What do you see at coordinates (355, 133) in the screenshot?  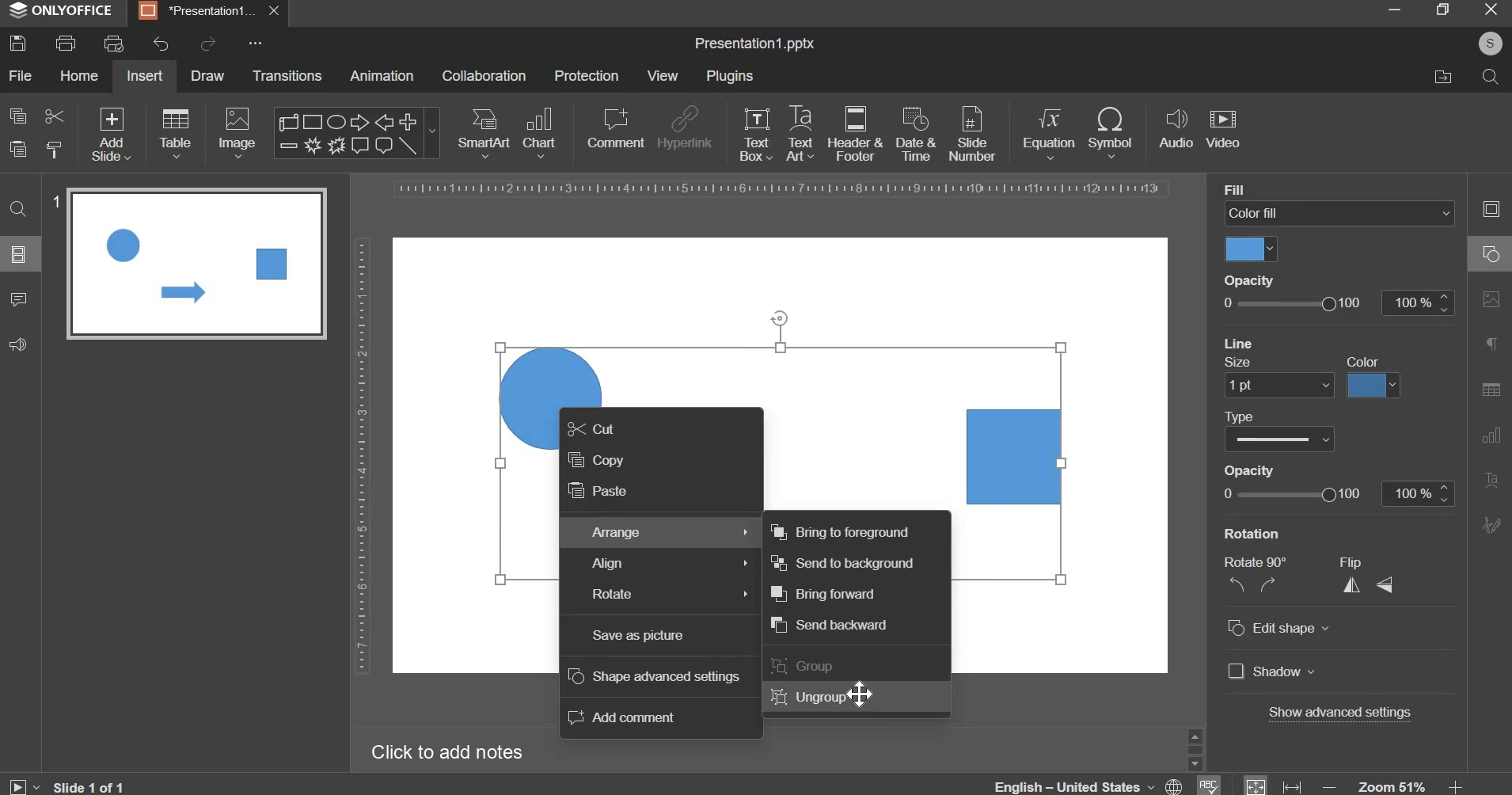 I see `shape` at bounding box center [355, 133].